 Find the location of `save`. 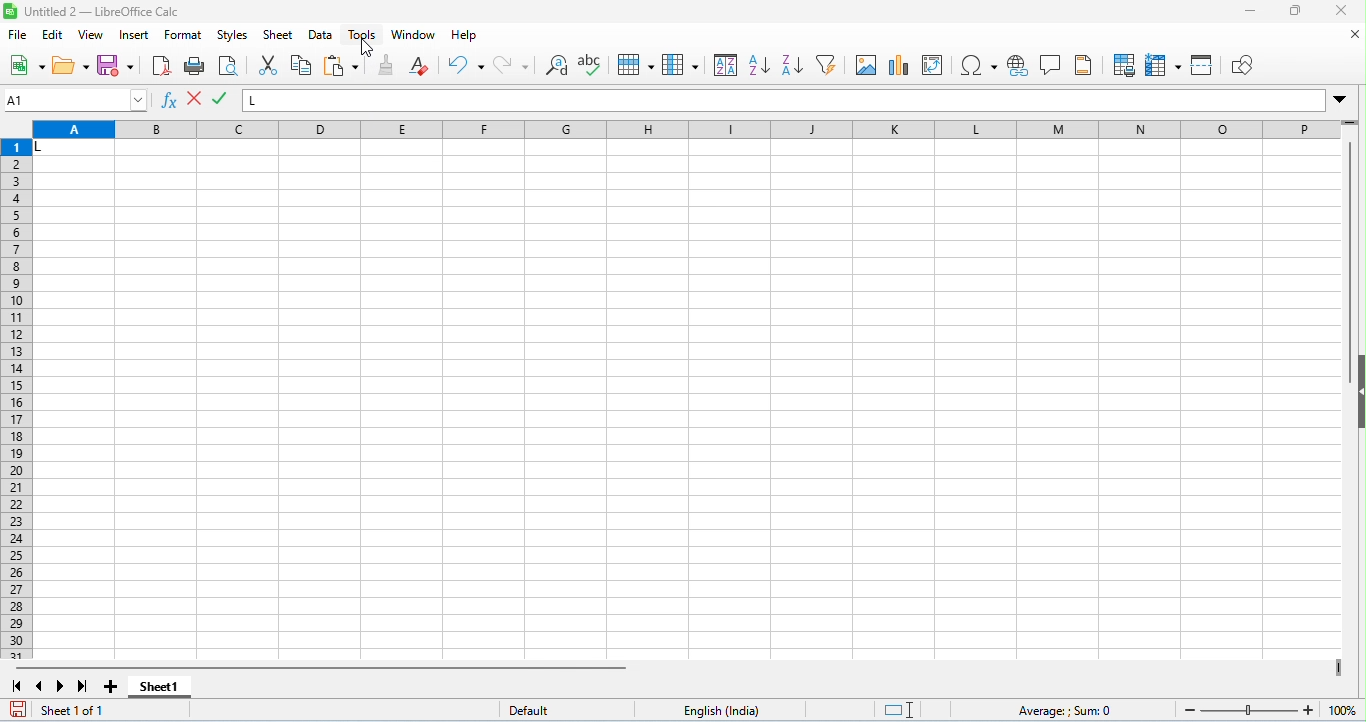

save is located at coordinates (116, 65).